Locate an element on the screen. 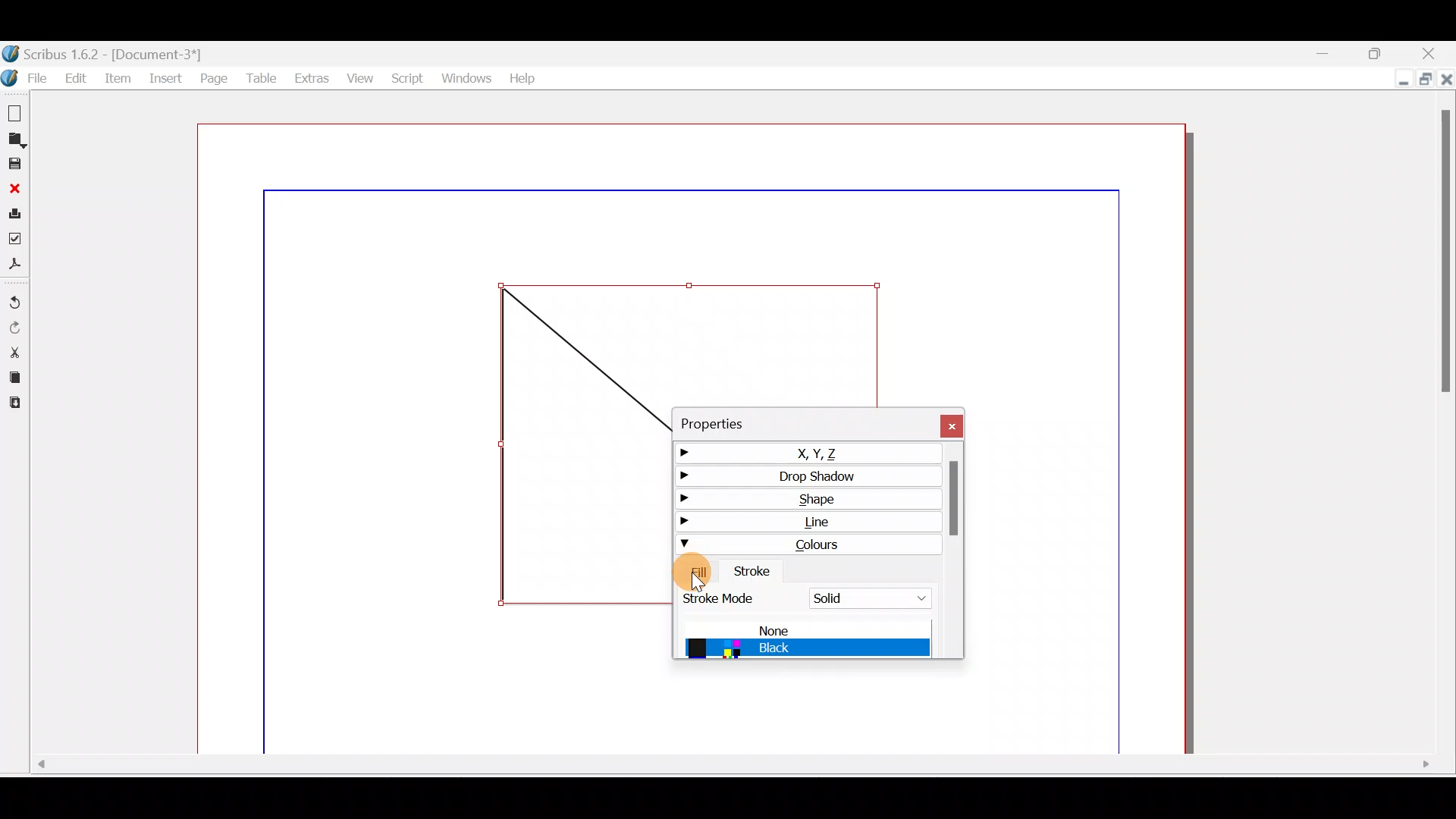  cursor is located at coordinates (700, 582).